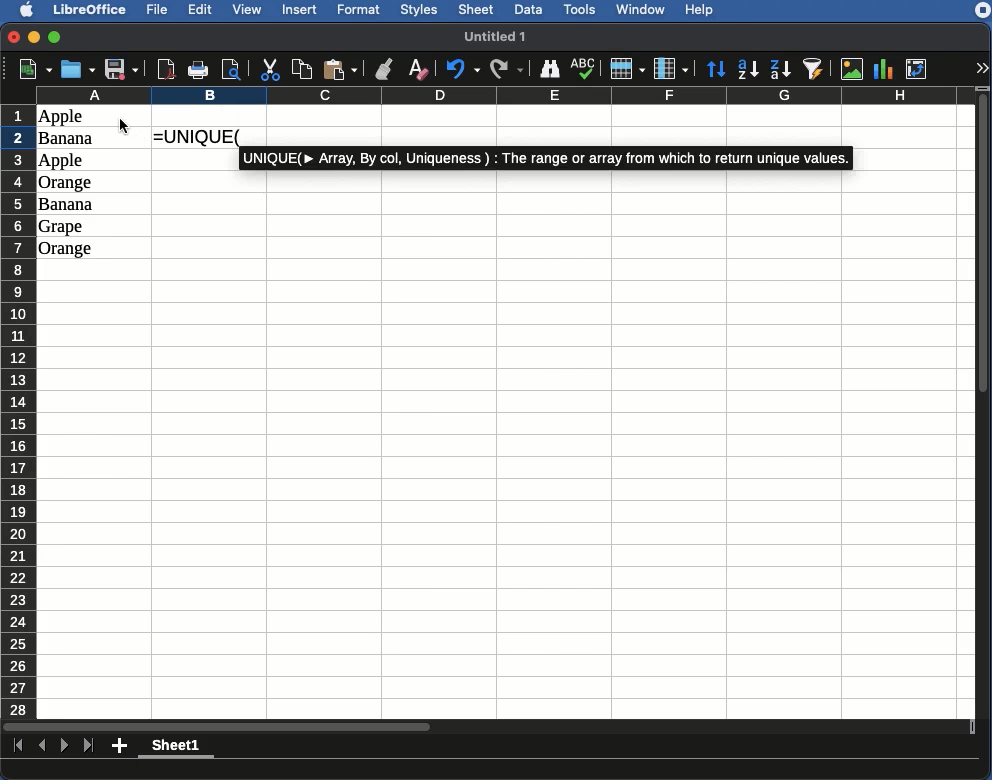 The height and width of the screenshot is (780, 992). I want to click on Maximize, so click(55, 36).